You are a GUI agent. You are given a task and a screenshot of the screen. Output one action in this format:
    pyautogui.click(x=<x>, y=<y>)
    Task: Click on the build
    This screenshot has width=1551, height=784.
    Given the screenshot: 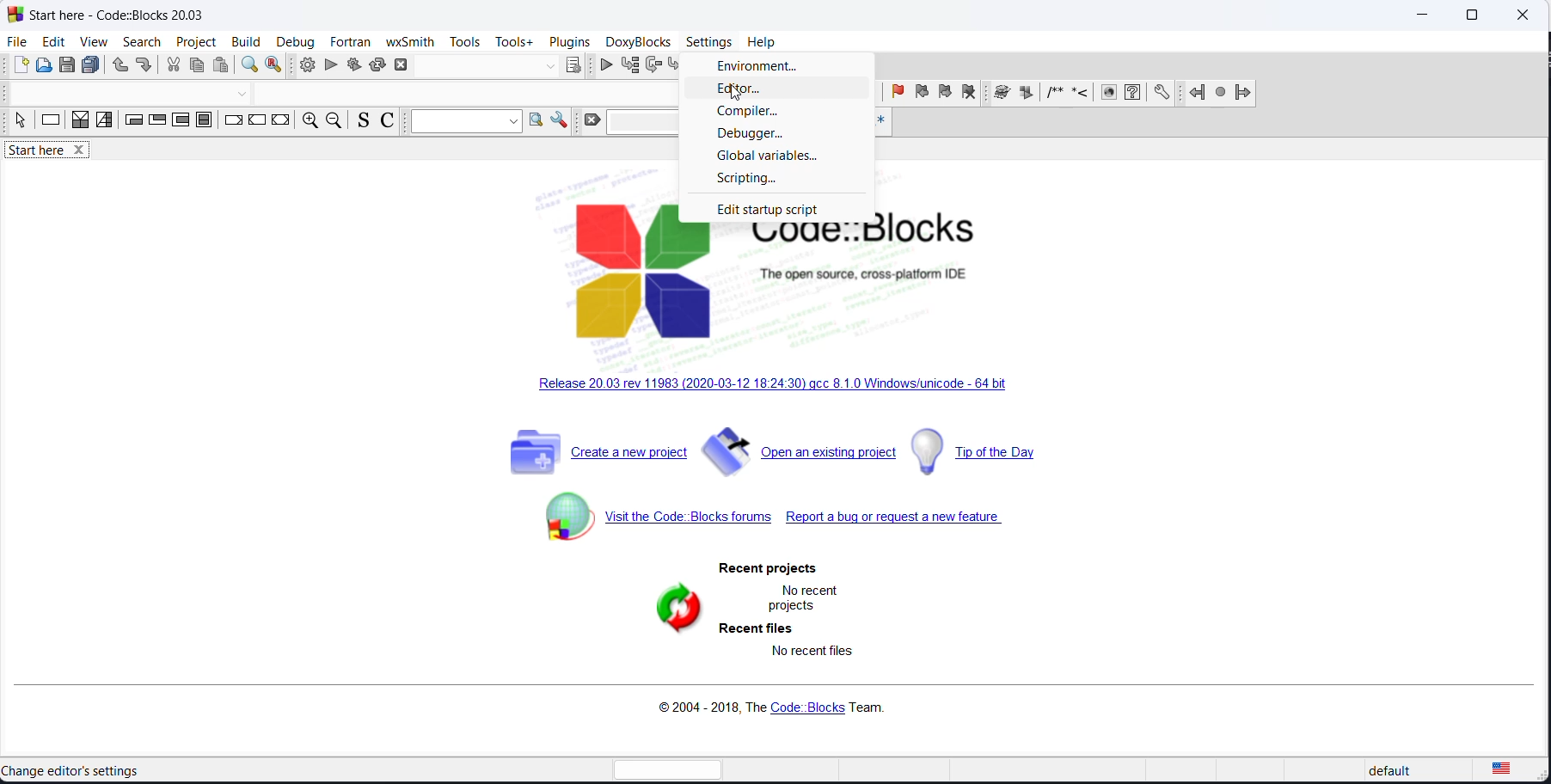 What is the action you would take?
    pyautogui.click(x=244, y=41)
    